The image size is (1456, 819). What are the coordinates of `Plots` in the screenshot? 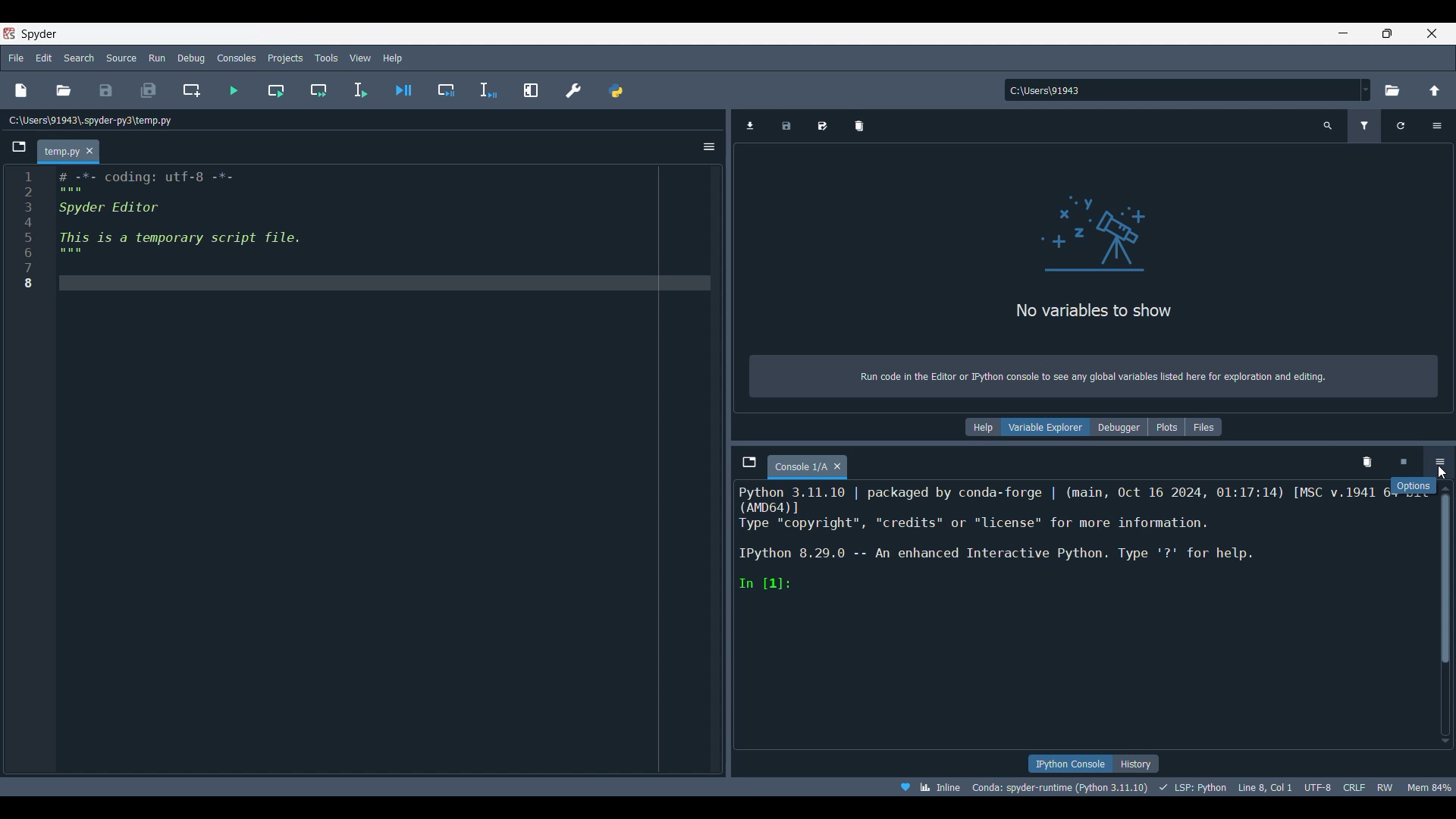 It's located at (1166, 427).